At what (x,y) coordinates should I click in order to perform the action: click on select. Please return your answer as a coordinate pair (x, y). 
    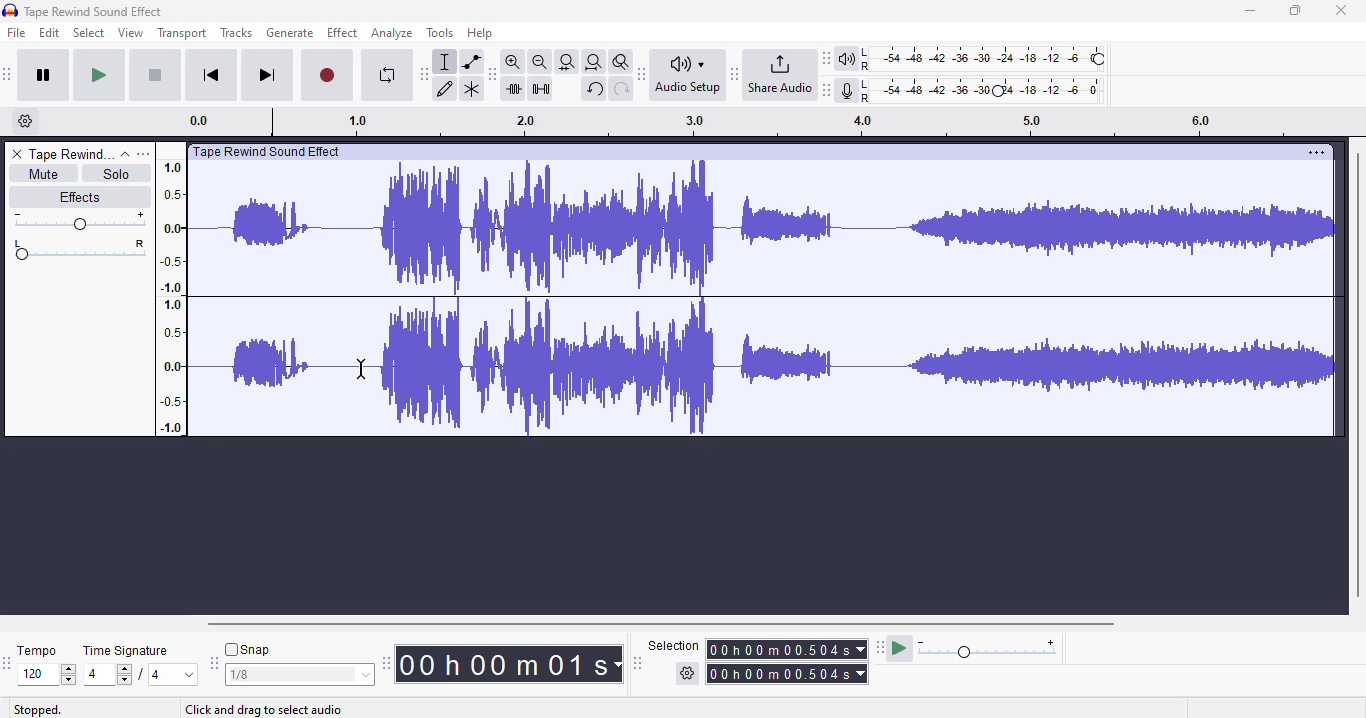
    Looking at the image, I should click on (90, 32).